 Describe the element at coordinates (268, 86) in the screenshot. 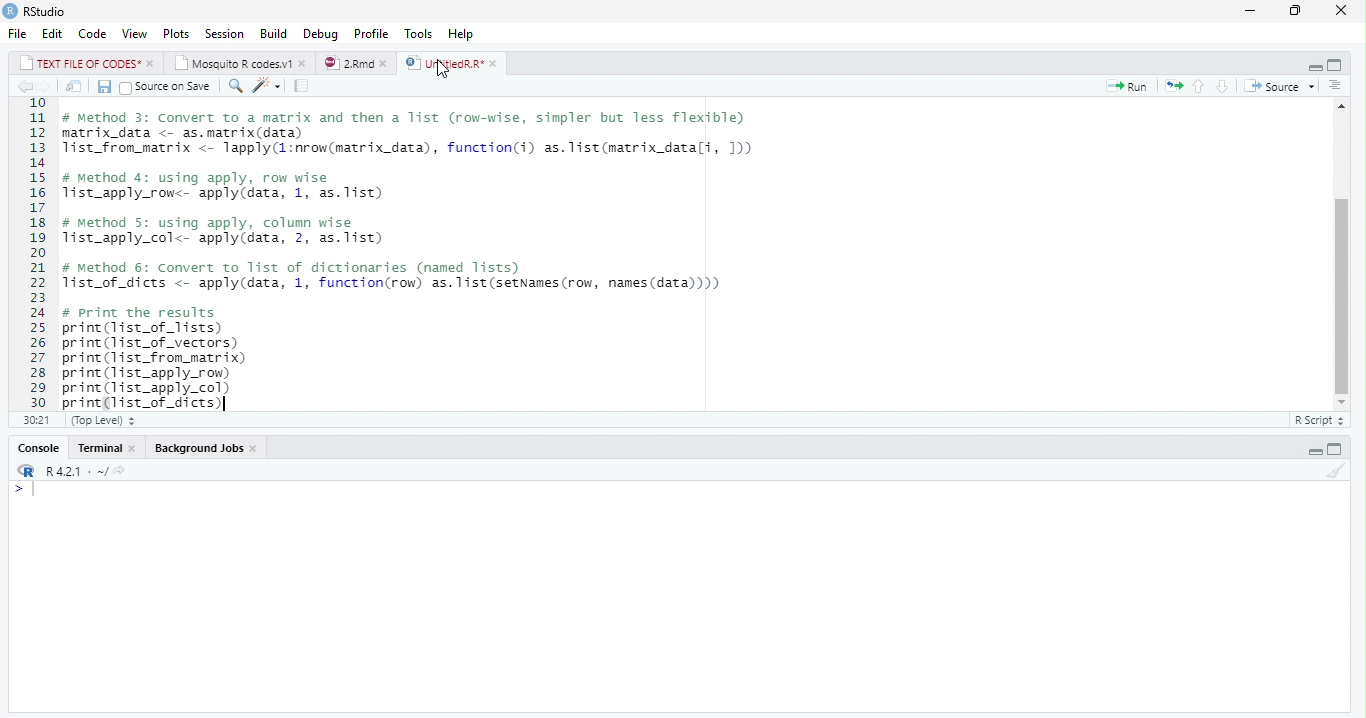

I see `code tools` at that location.